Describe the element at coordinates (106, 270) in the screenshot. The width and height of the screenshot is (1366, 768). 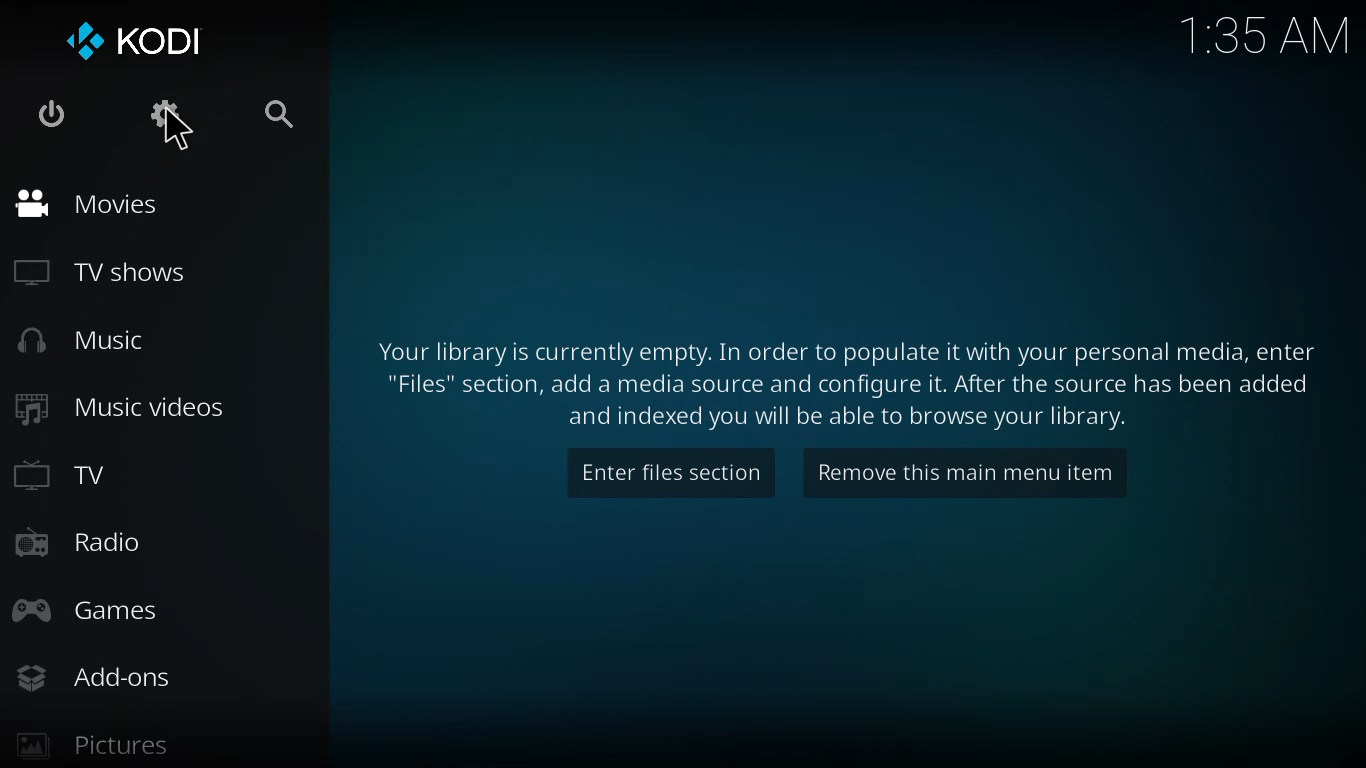
I see `tv shows` at that location.